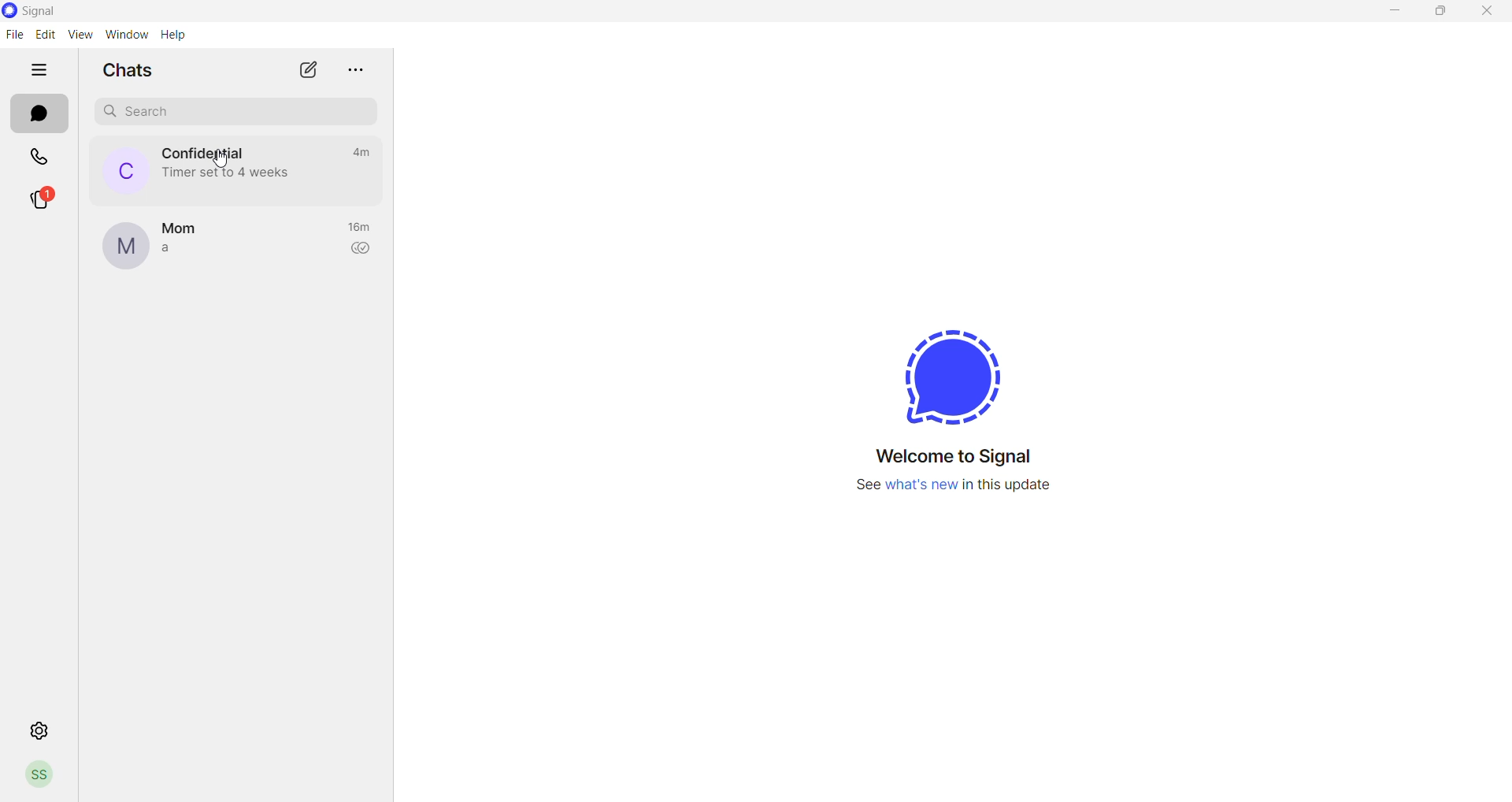 This screenshot has width=1512, height=802. Describe the element at coordinates (44, 35) in the screenshot. I see `edit` at that location.